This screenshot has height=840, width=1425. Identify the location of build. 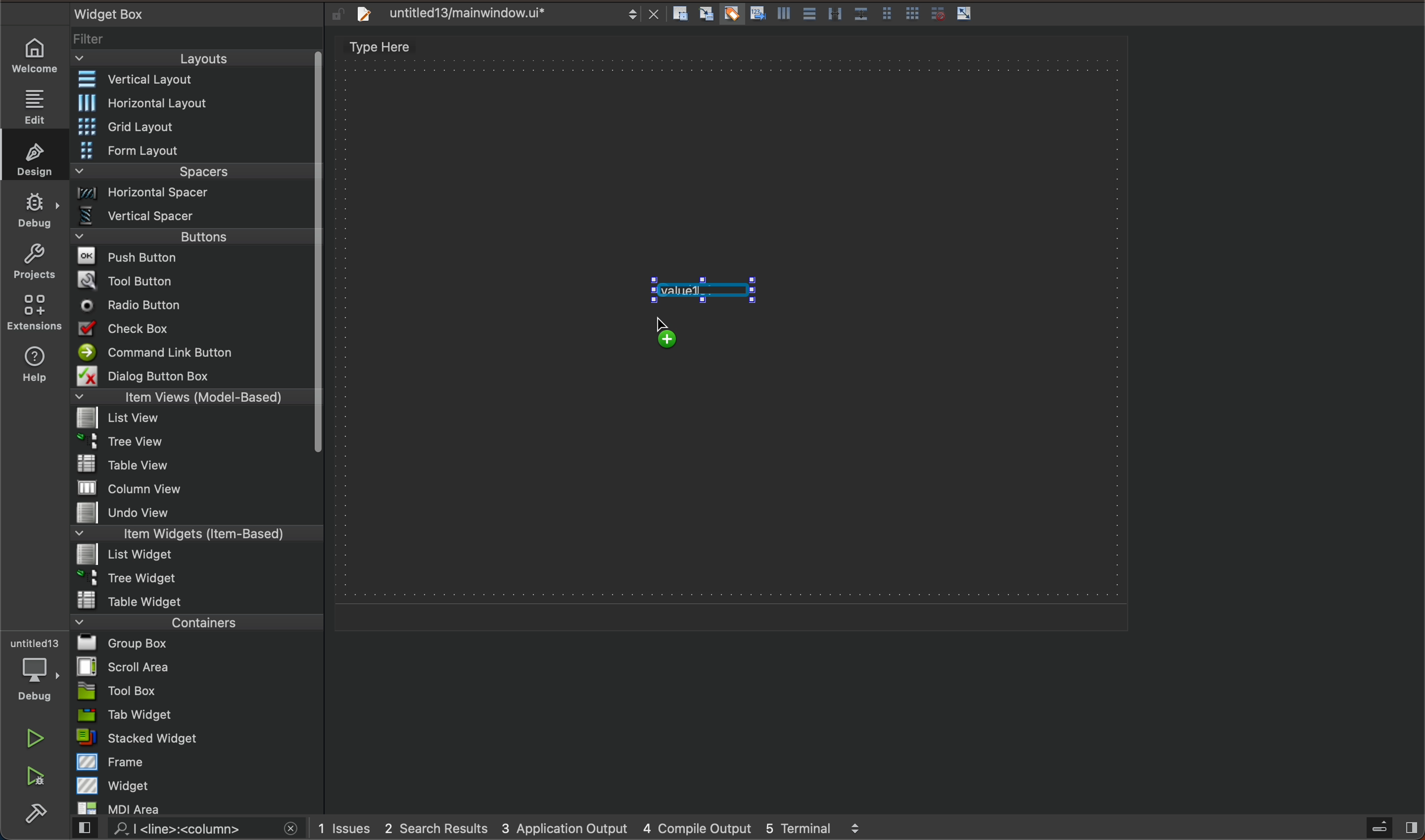
(36, 815).